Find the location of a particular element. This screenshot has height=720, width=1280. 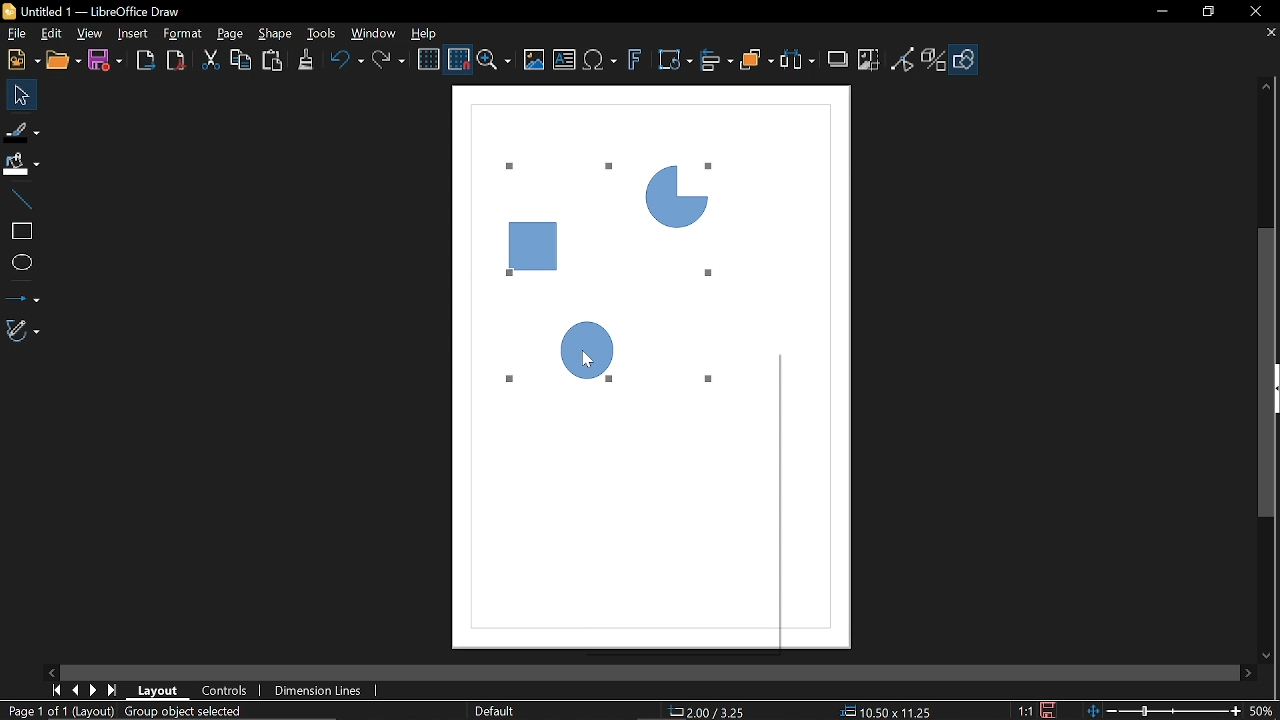

Move up is located at coordinates (1262, 85).